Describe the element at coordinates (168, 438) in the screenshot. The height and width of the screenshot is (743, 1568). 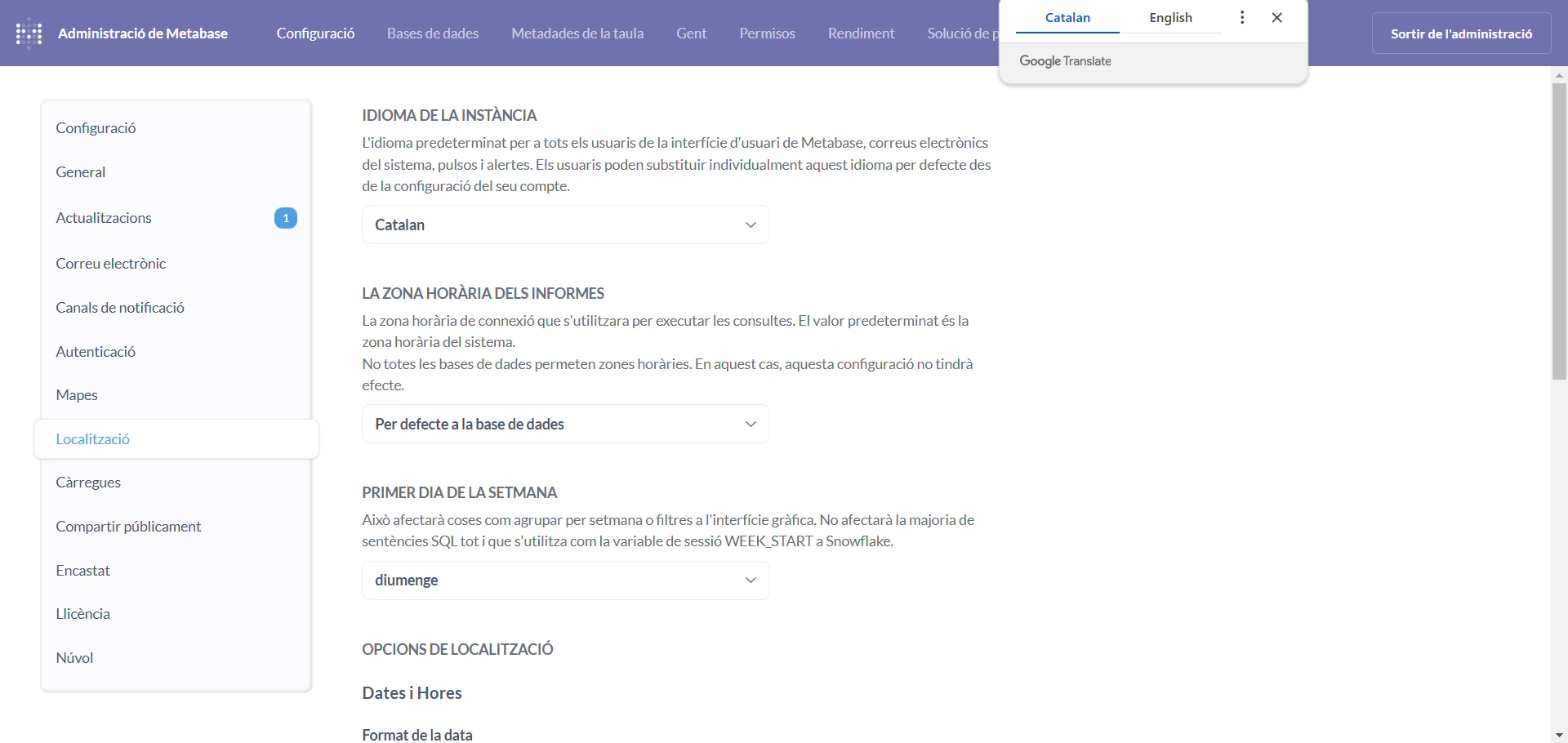
I see `localization` at that location.